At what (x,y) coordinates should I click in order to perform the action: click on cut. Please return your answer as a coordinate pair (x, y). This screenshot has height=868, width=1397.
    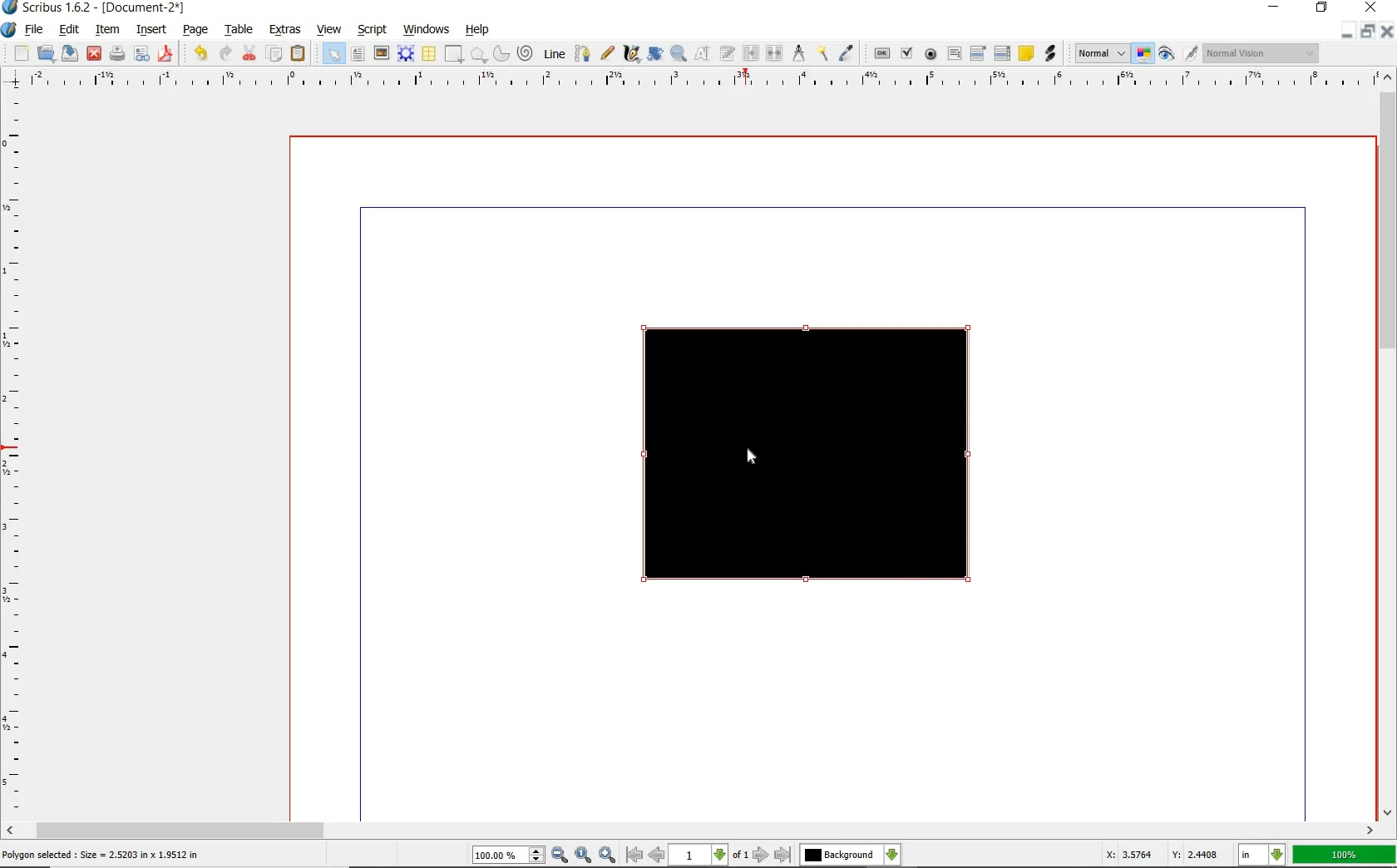
    Looking at the image, I should click on (249, 55).